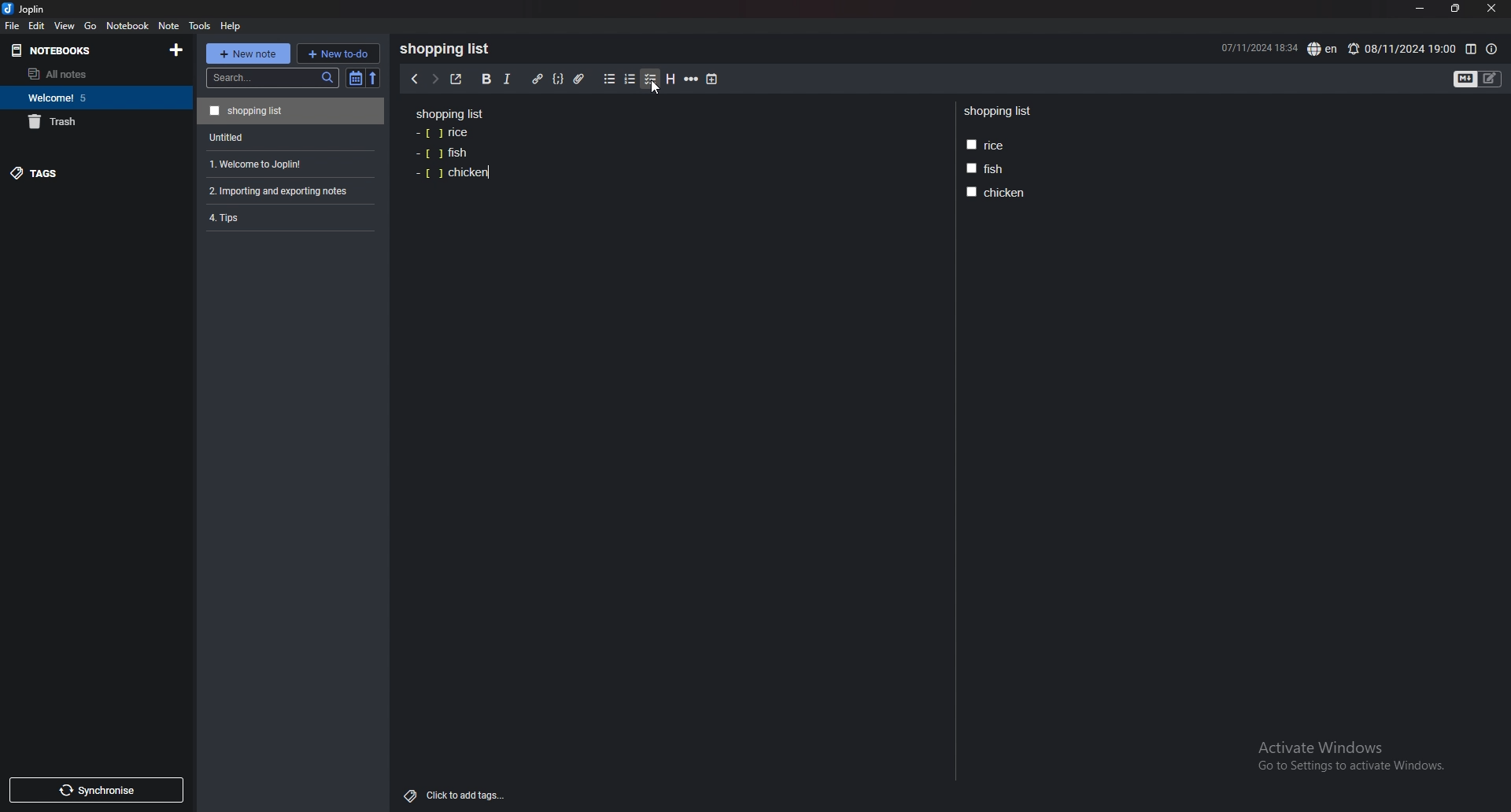  What do you see at coordinates (13, 26) in the screenshot?
I see `file` at bounding box center [13, 26].